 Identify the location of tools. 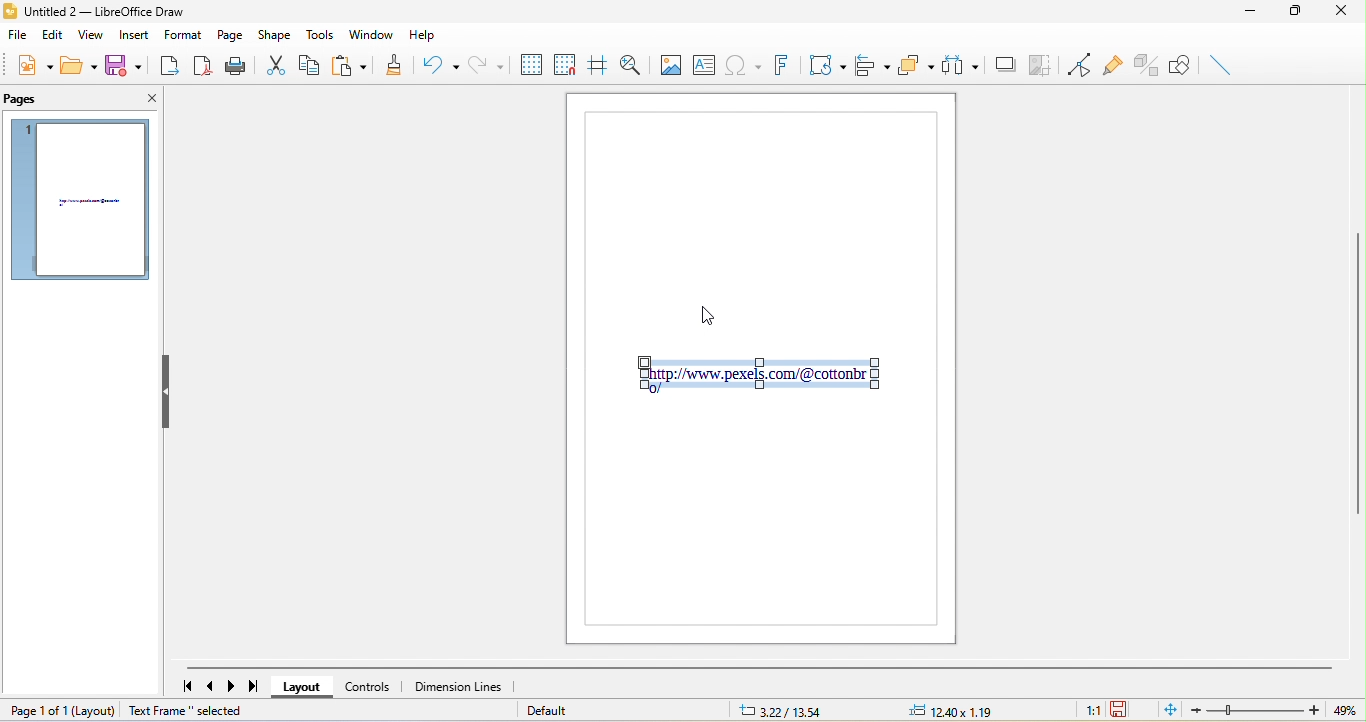
(319, 35).